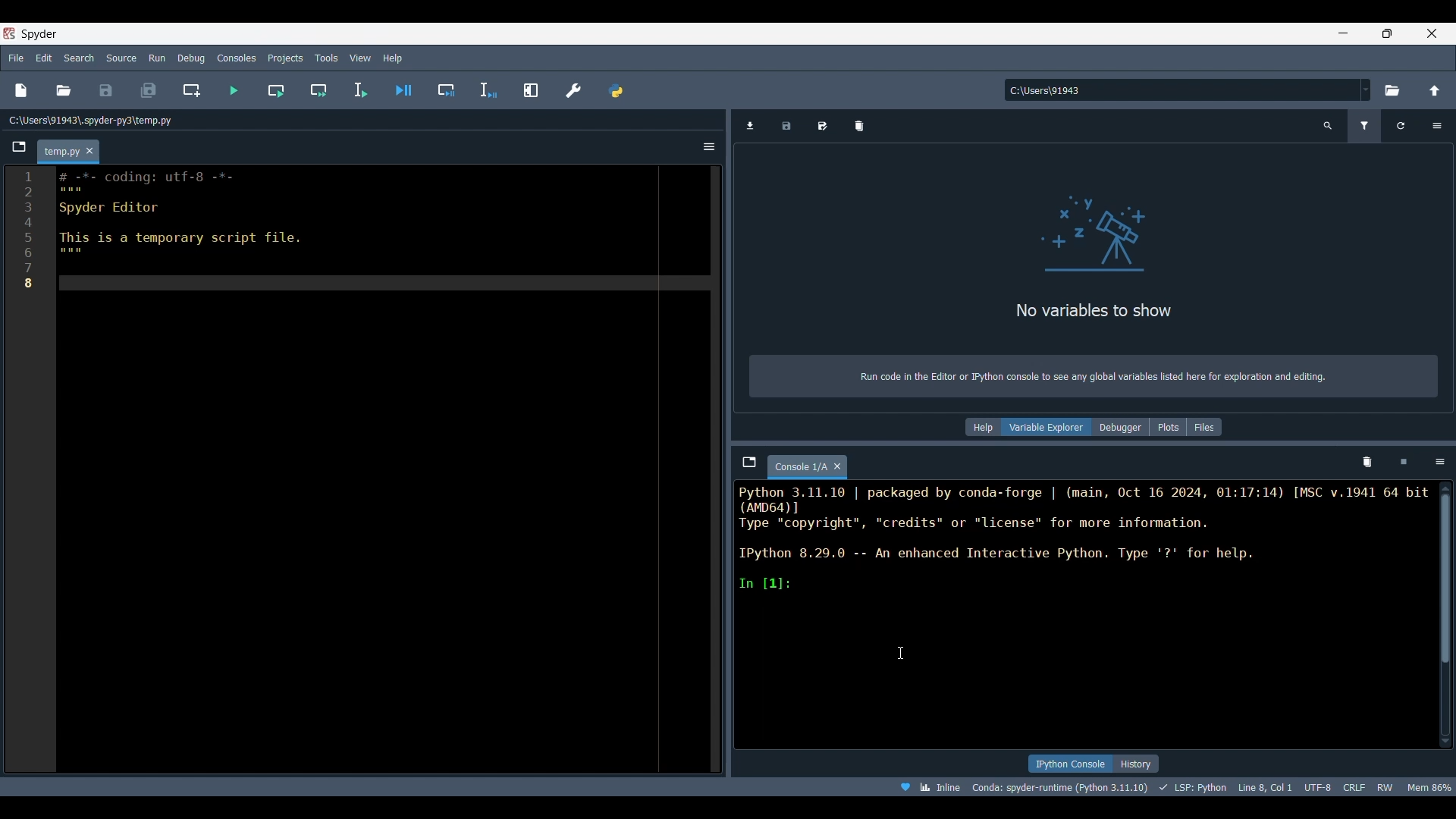 Image resolution: width=1456 pixels, height=819 pixels. Describe the element at coordinates (1047, 427) in the screenshot. I see `Variable explorer, current selection highlighted` at that location.